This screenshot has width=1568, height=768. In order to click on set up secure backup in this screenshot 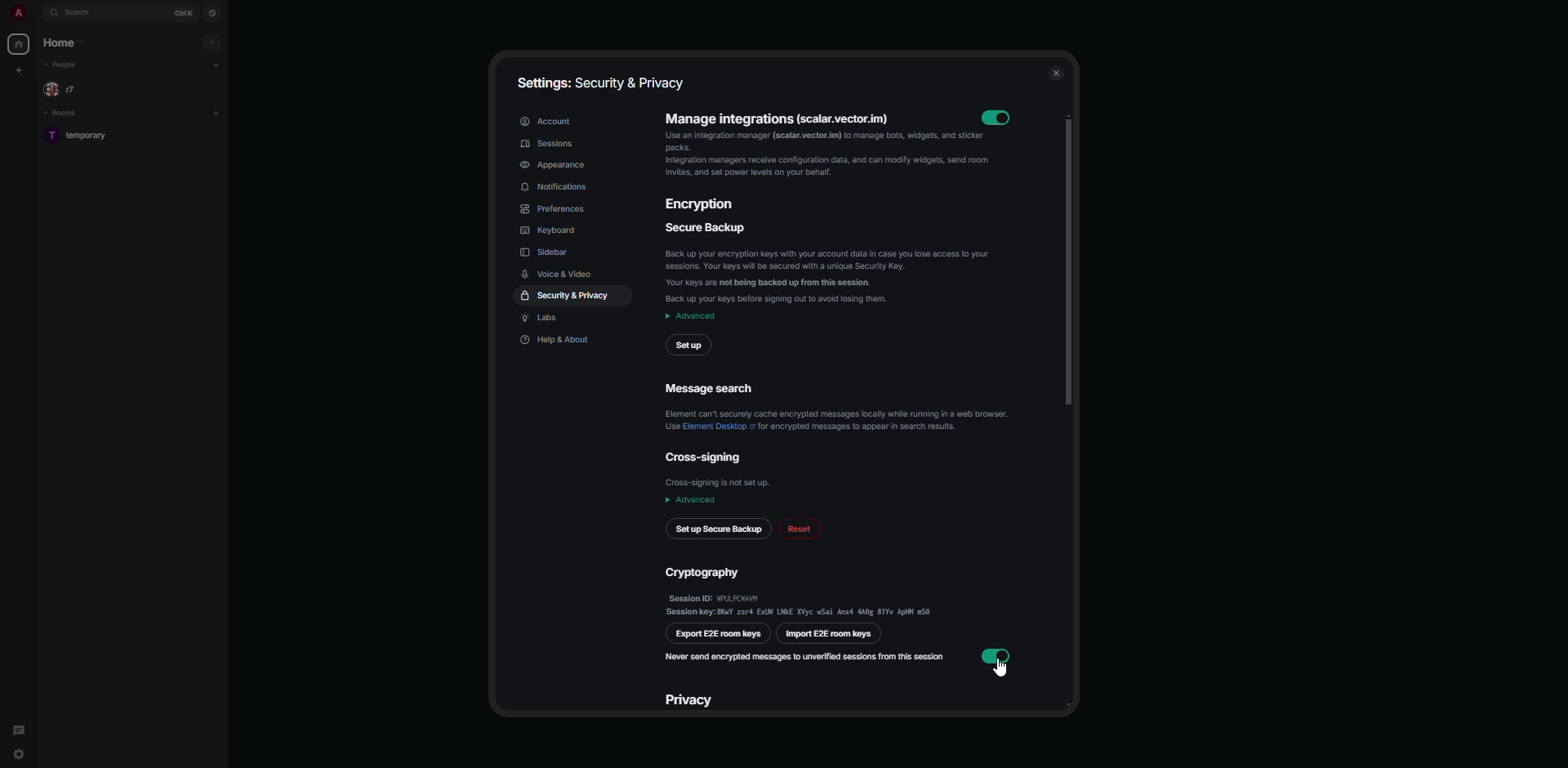, I will do `click(718, 529)`.